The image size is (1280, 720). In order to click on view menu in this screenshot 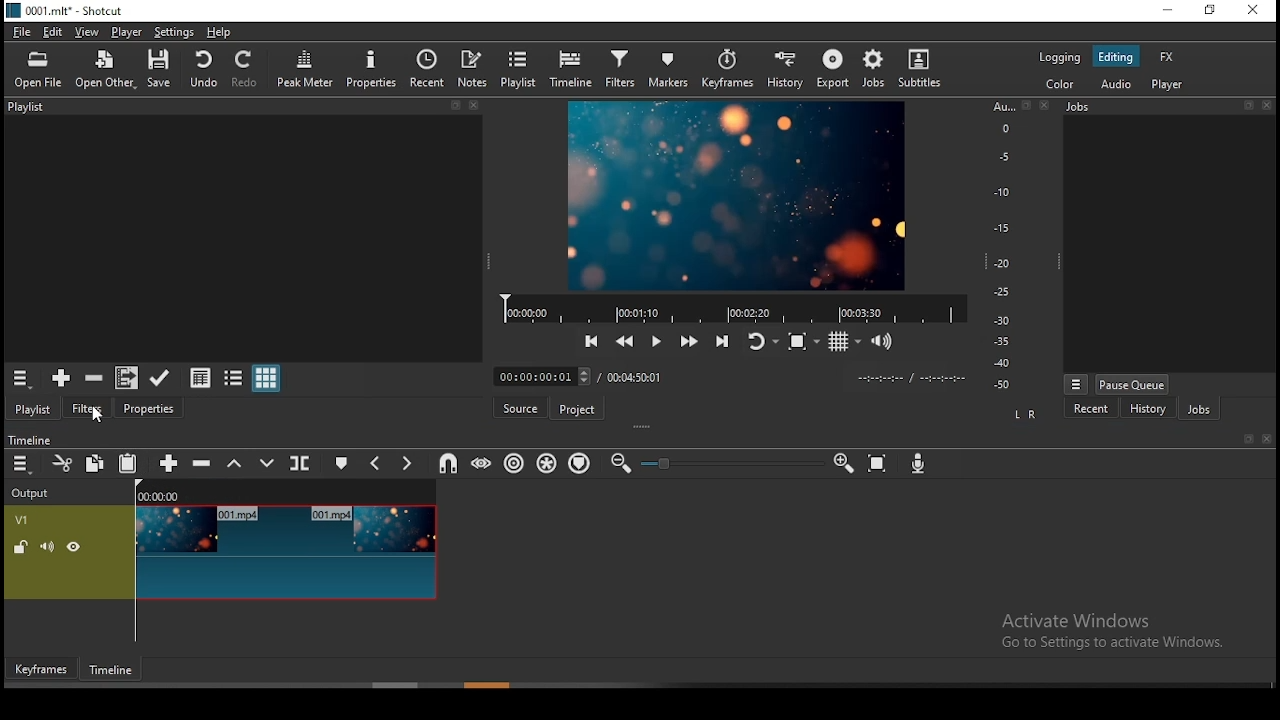, I will do `click(1076, 383)`.